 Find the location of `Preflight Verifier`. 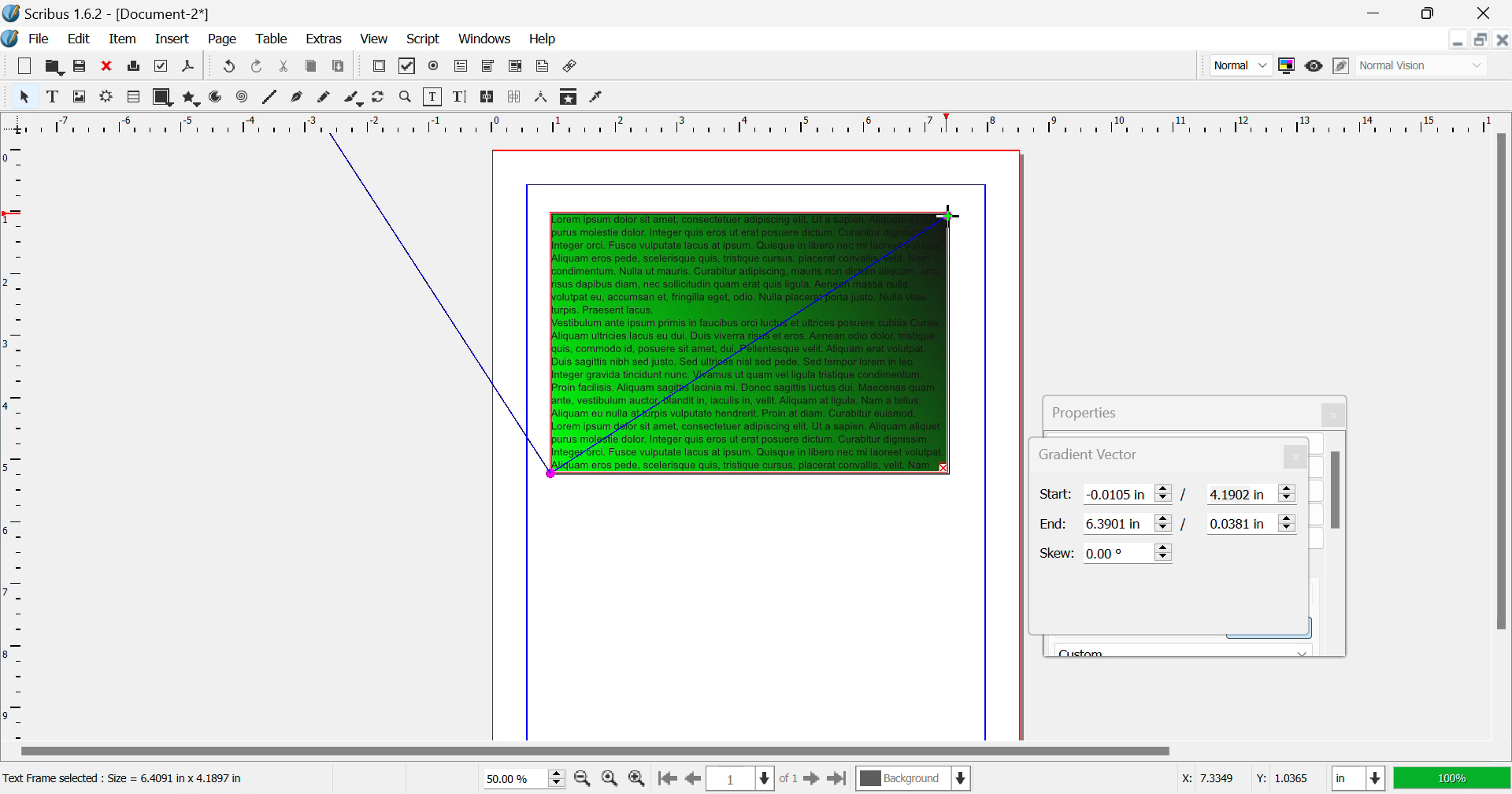

Preflight Verifier is located at coordinates (162, 66).